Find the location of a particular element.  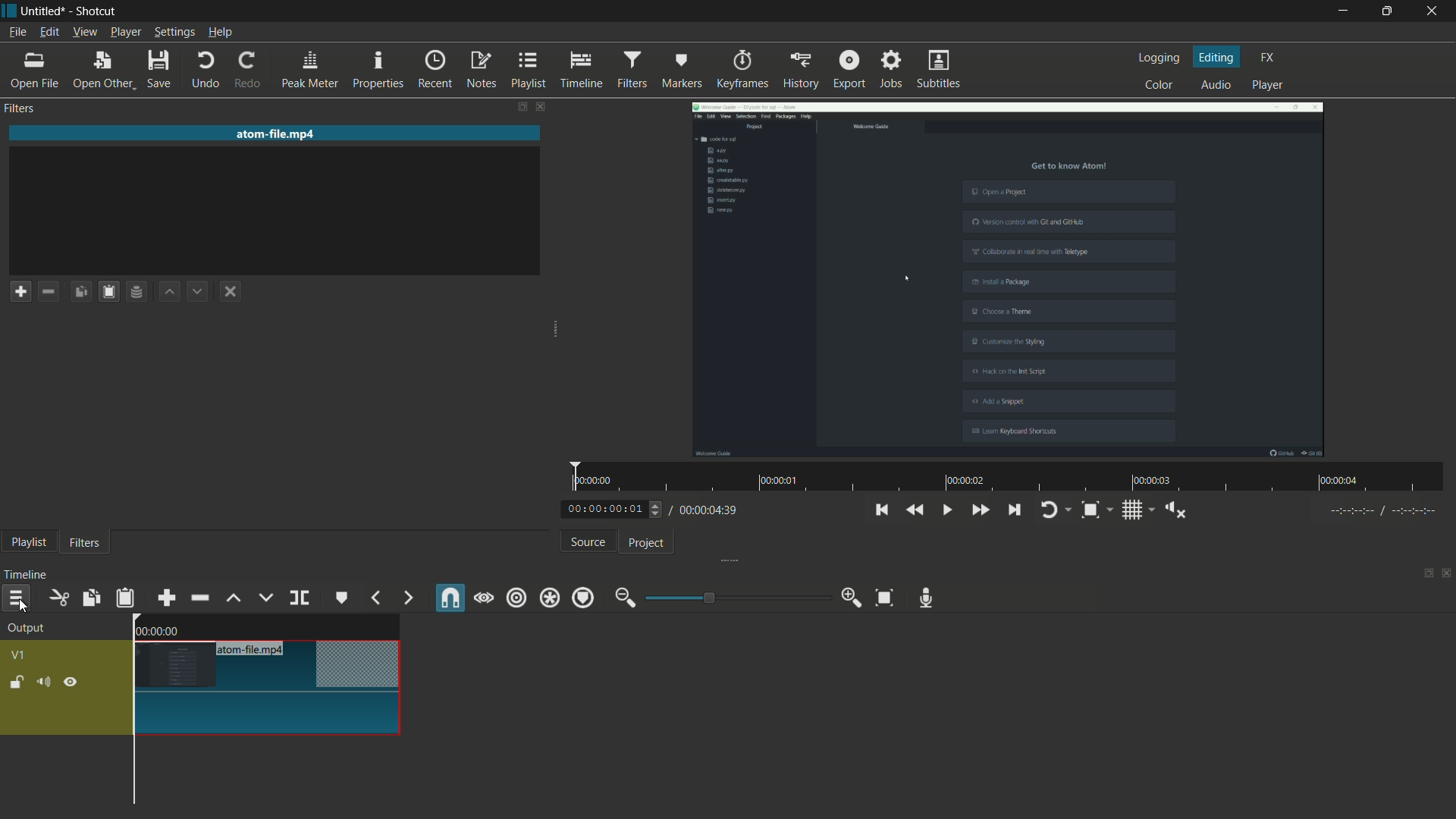

view menu is located at coordinates (86, 32).